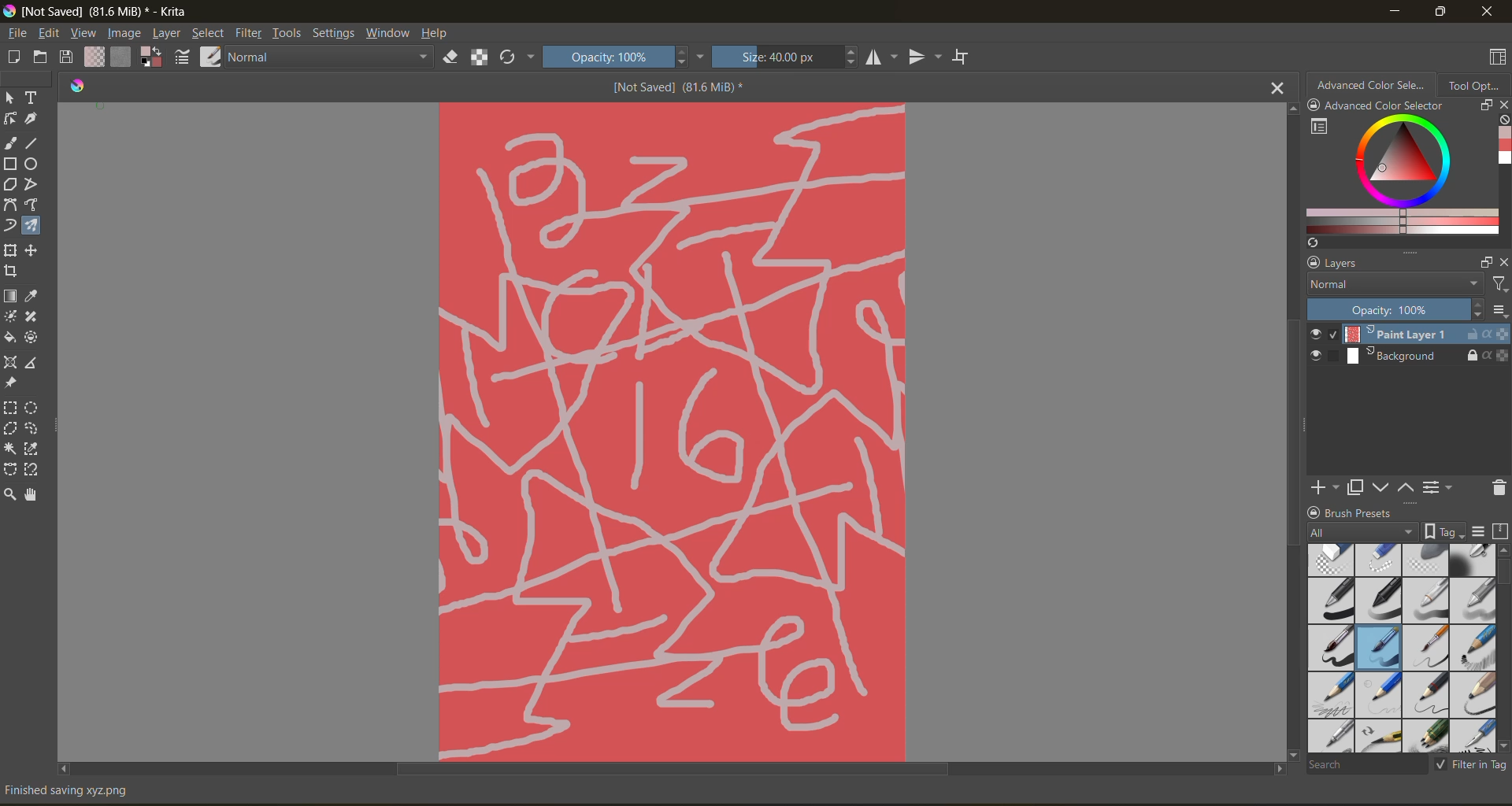  What do you see at coordinates (9, 449) in the screenshot?
I see `tool` at bounding box center [9, 449].